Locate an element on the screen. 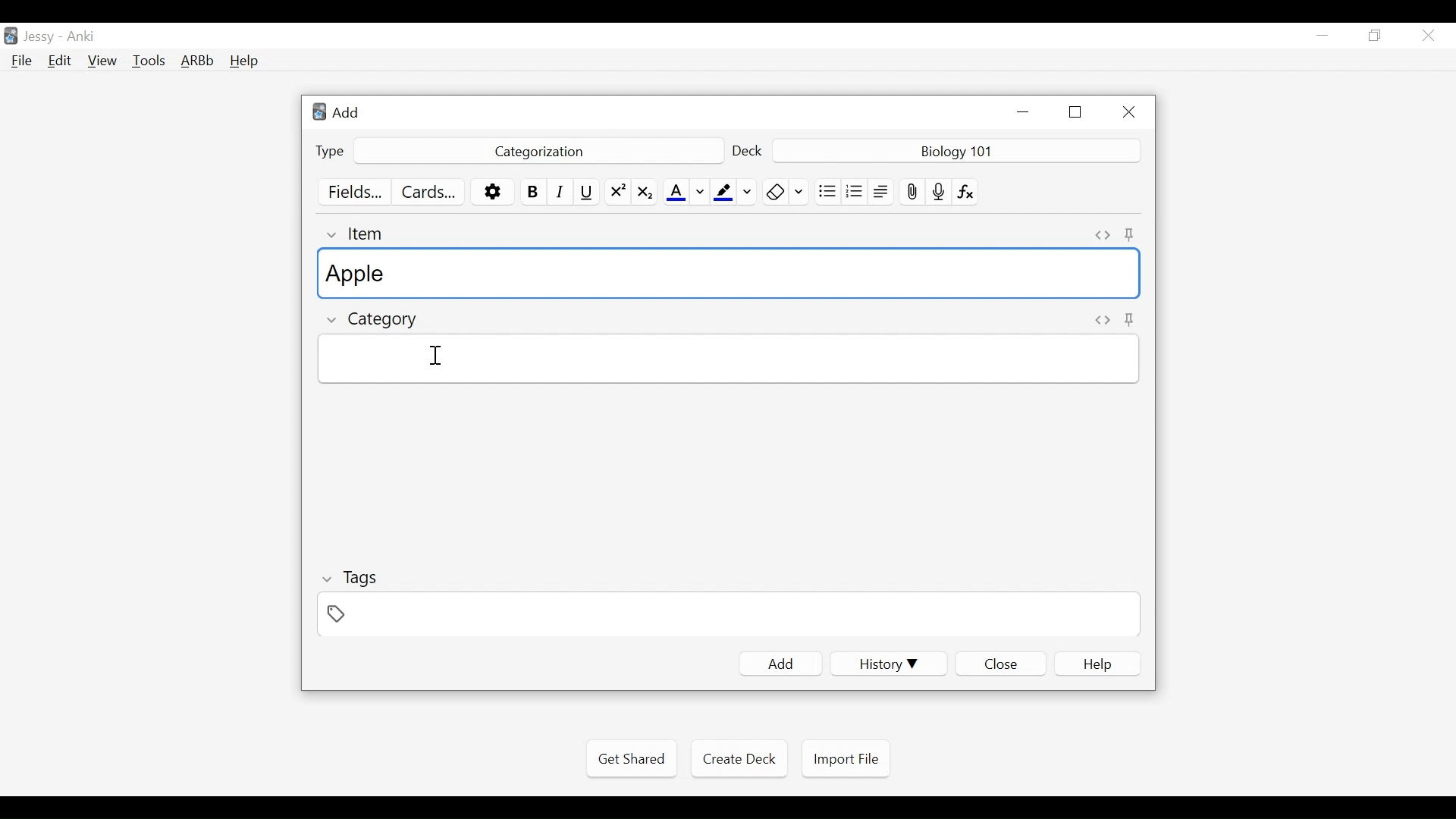 The width and height of the screenshot is (1456, 819). Anki Desktop icon is located at coordinates (11, 36).